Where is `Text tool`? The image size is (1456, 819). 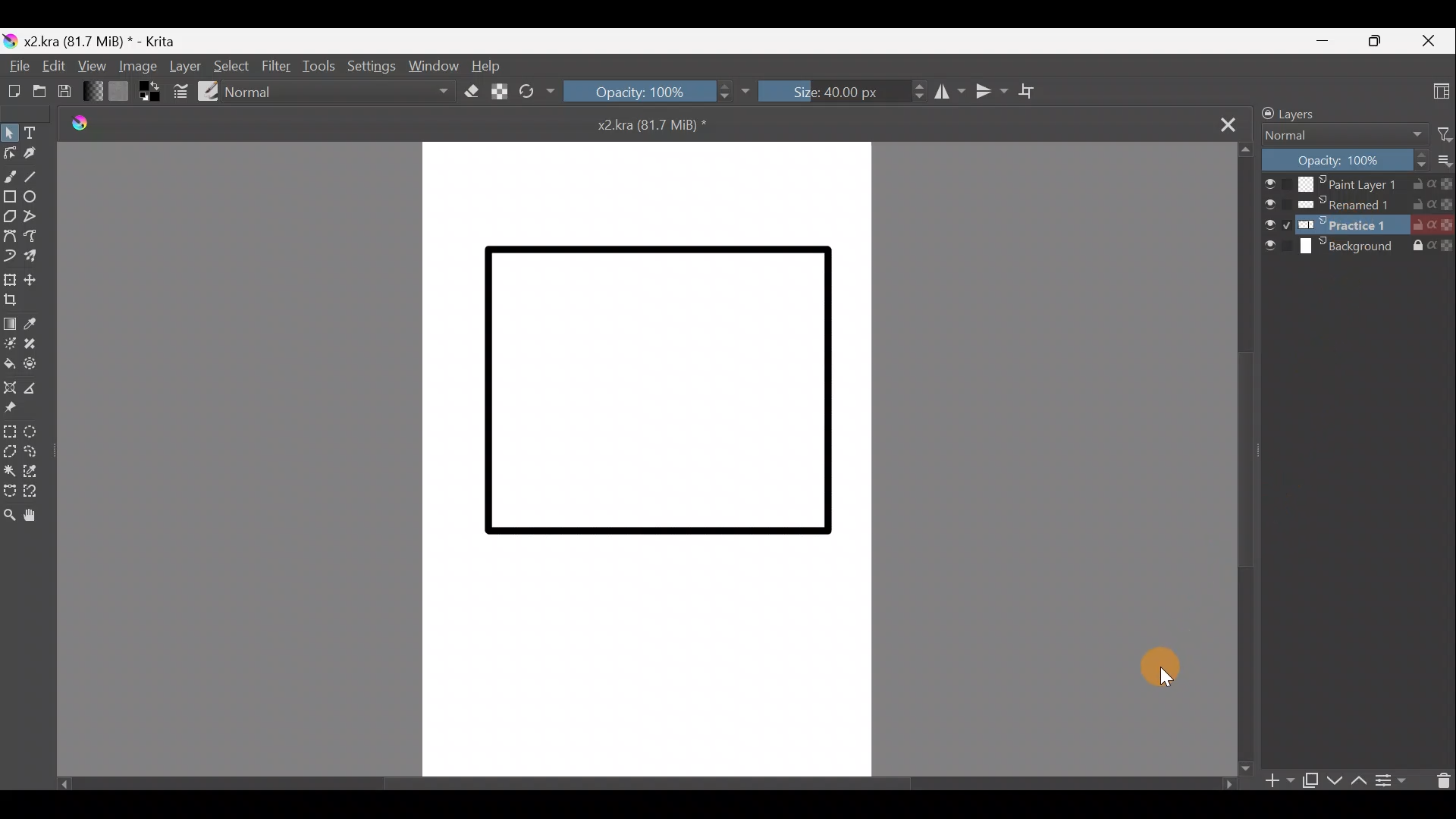 Text tool is located at coordinates (35, 132).